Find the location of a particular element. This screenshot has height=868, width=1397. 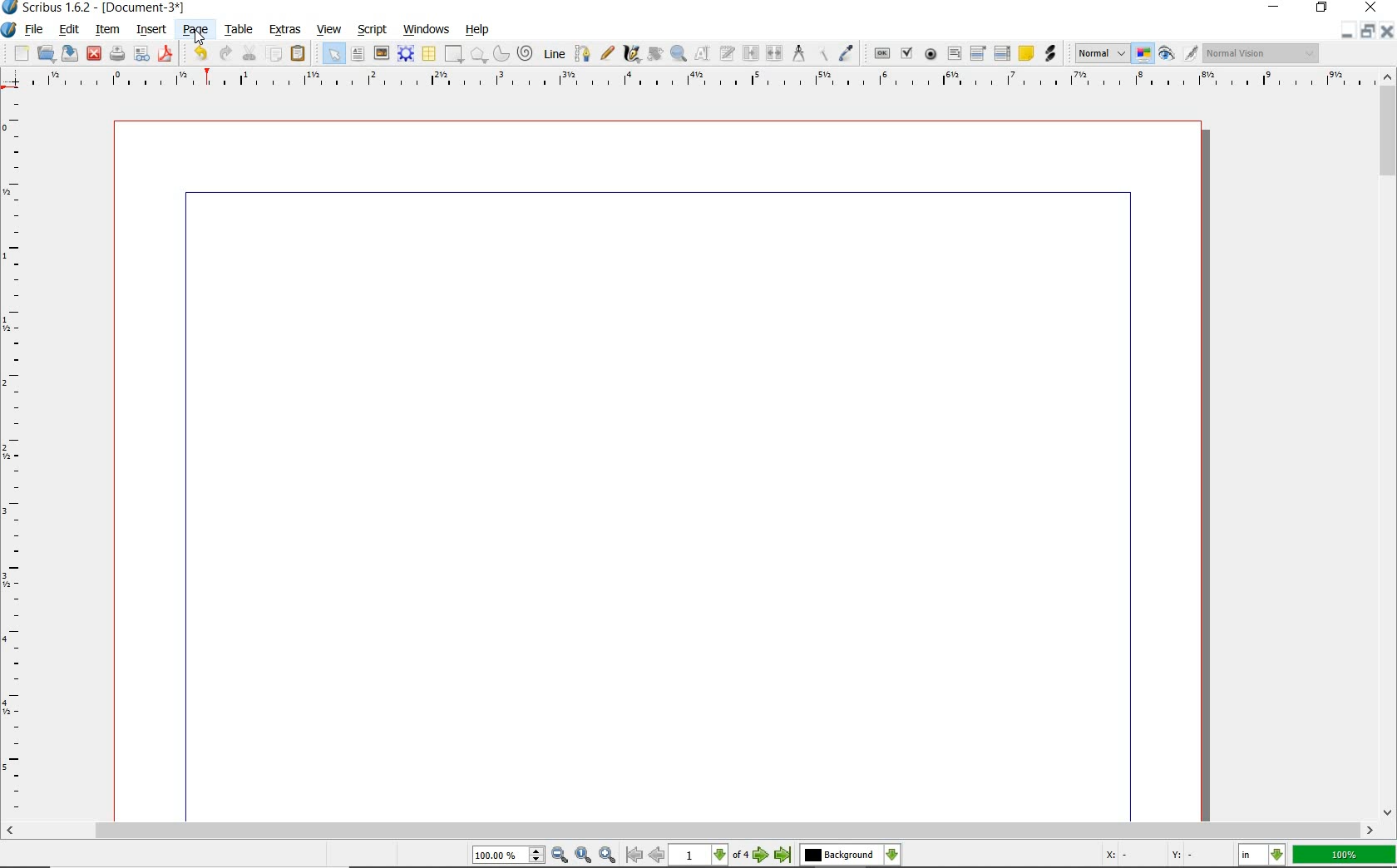

select the current unit: in is located at coordinates (1261, 855).